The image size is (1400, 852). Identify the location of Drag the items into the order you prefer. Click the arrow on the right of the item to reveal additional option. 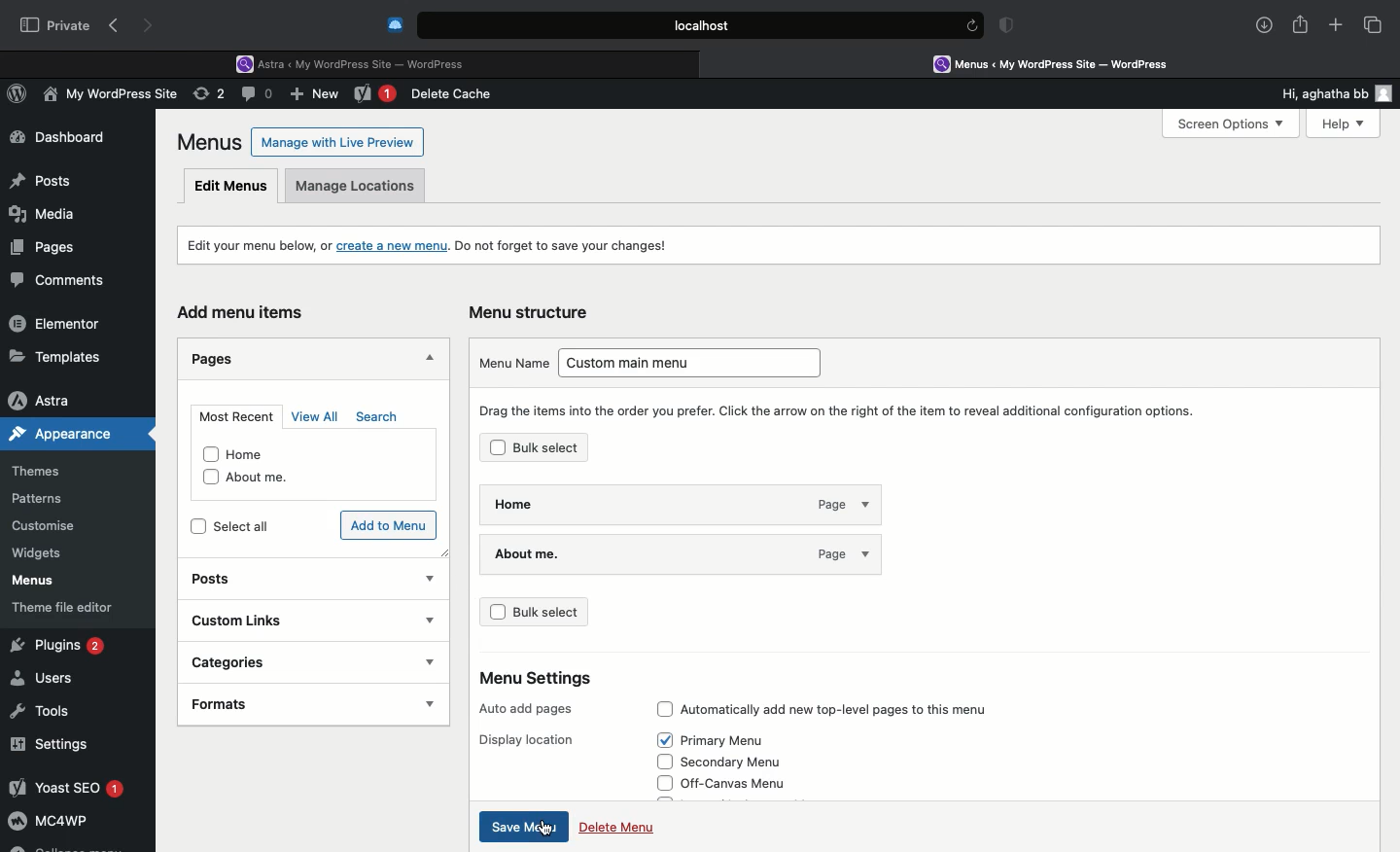
(843, 410).